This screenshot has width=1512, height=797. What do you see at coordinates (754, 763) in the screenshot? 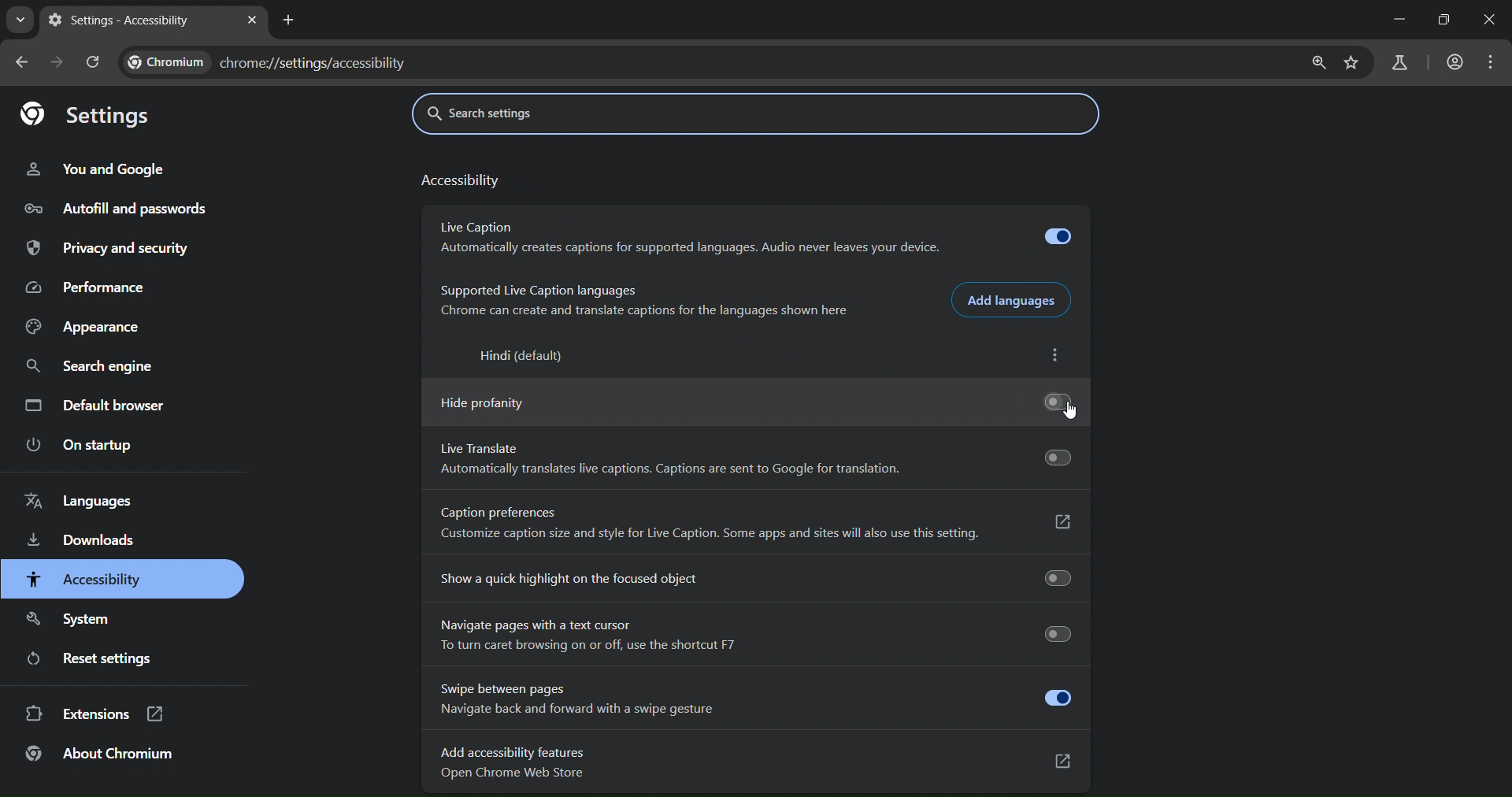
I see `Add accessibility features
Open Chrome Web Store` at bounding box center [754, 763].